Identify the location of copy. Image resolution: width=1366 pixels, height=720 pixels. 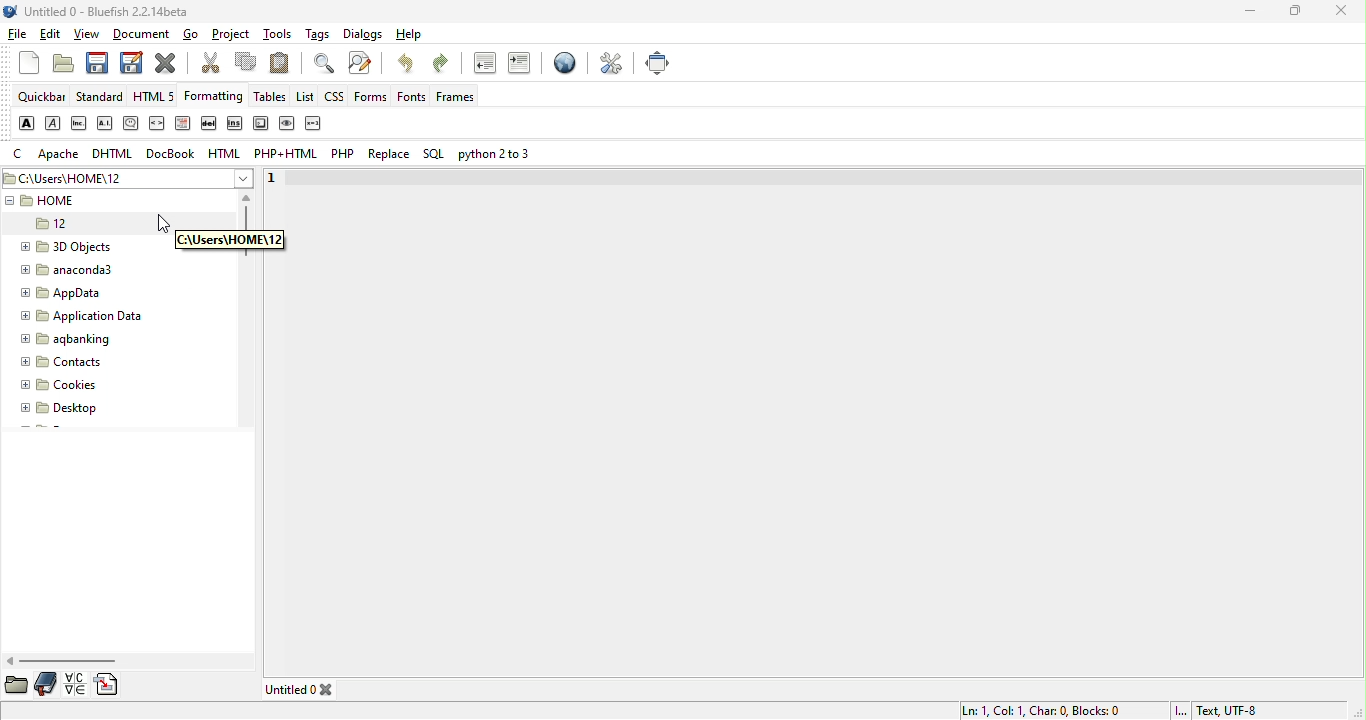
(247, 65).